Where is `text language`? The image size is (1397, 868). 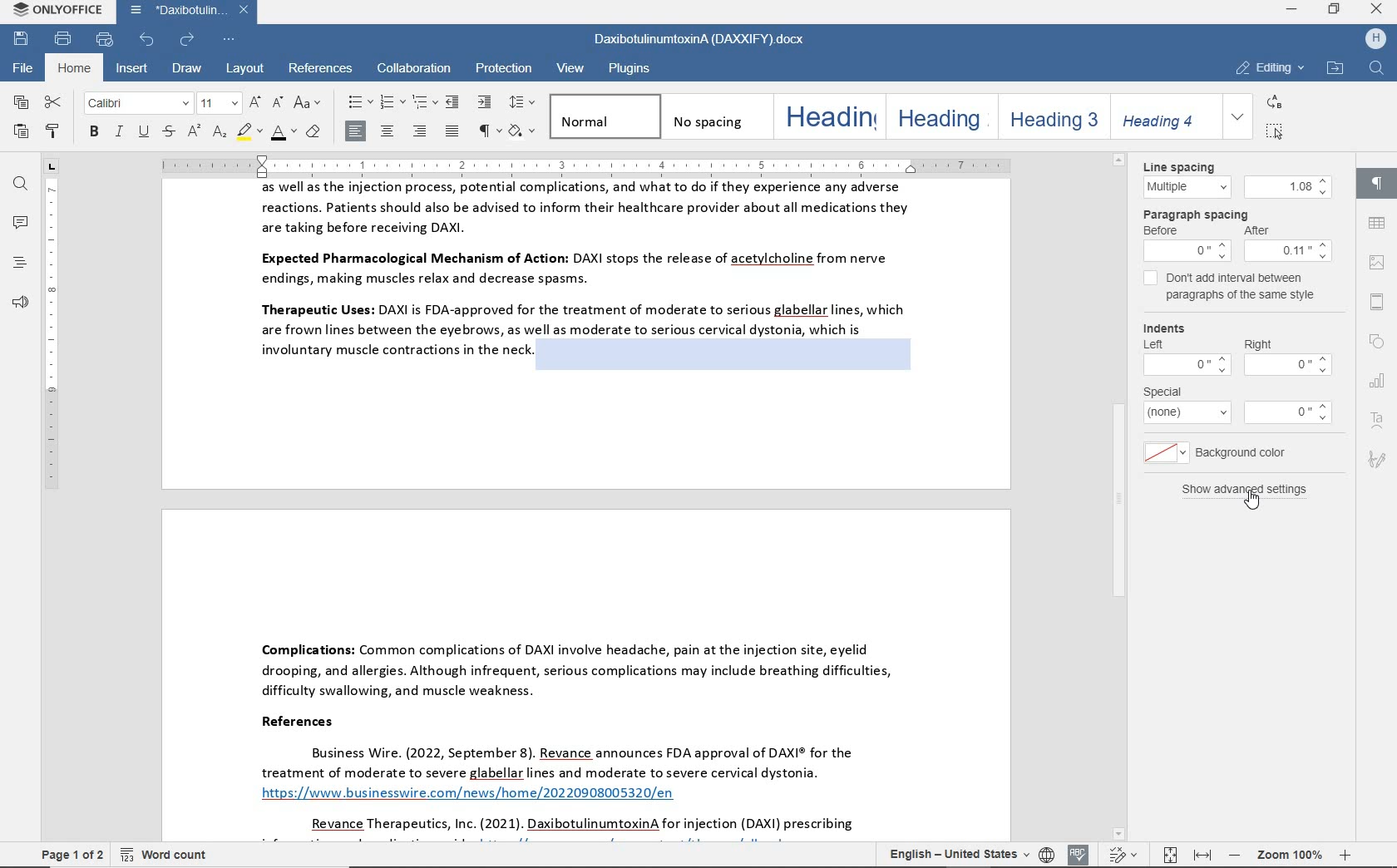 text language is located at coordinates (956, 855).